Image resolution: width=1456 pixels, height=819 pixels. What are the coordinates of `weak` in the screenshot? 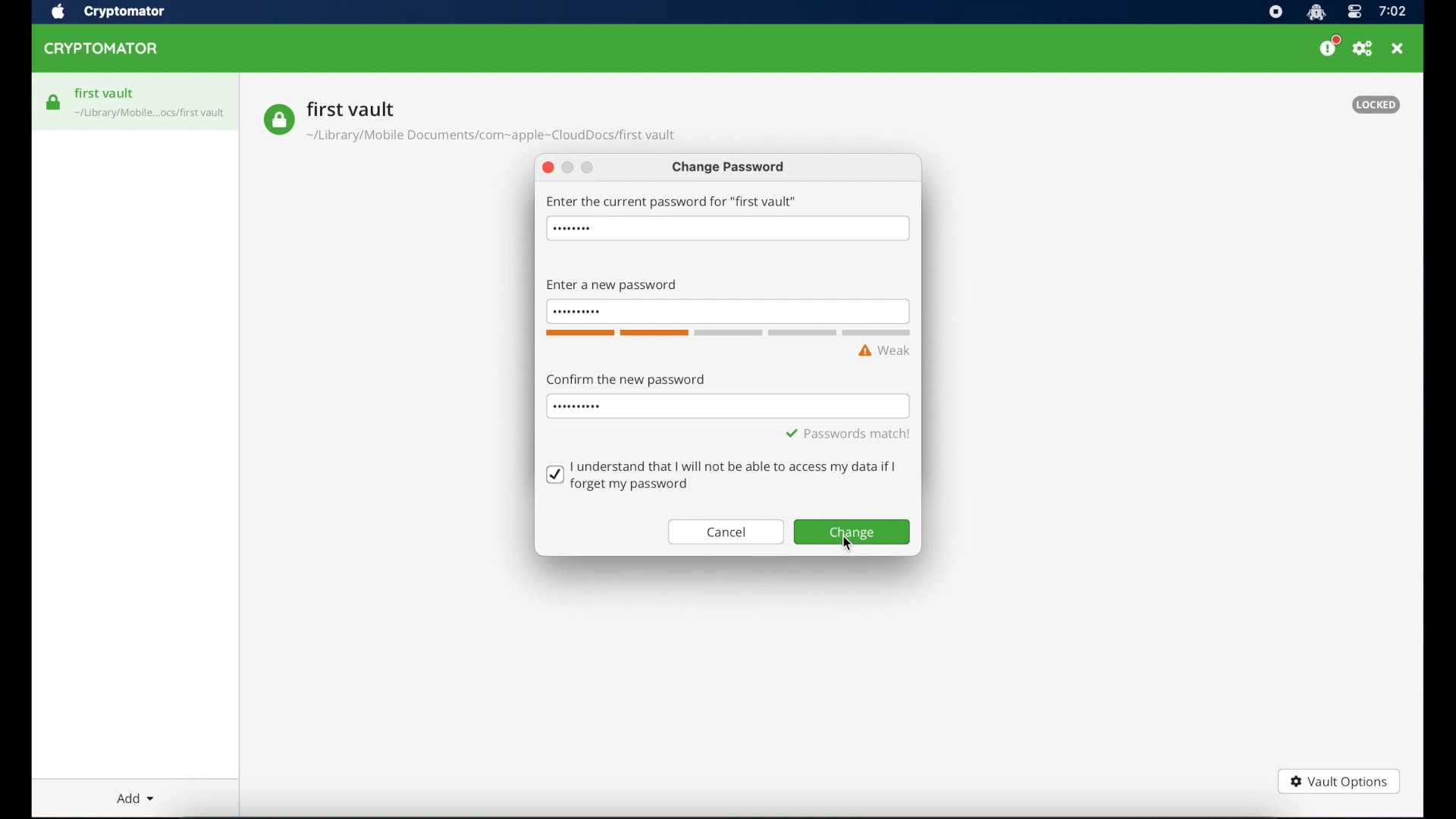 It's located at (884, 351).